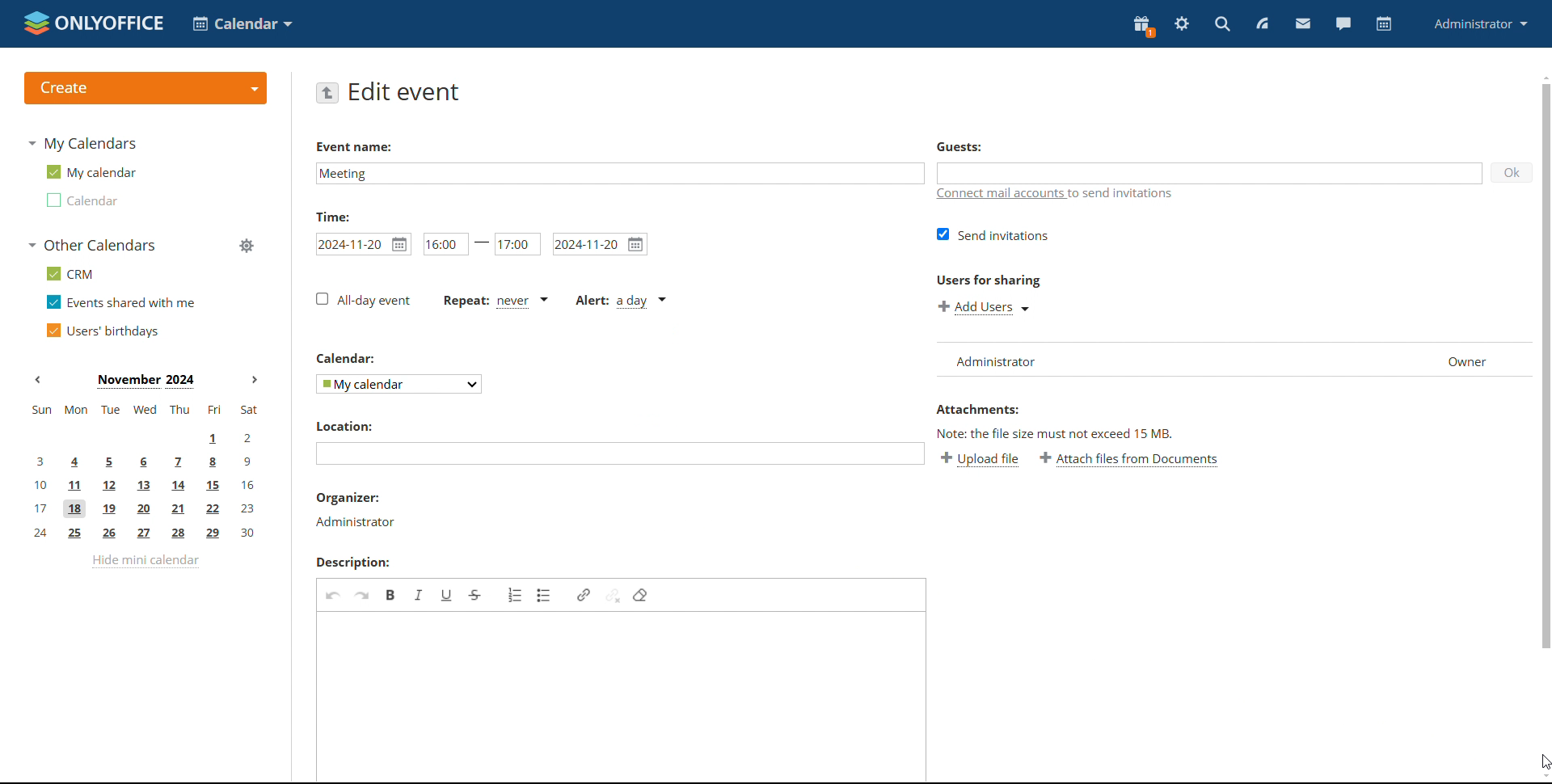 This screenshot has width=1552, height=784. What do you see at coordinates (1070, 197) in the screenshot?
I see `connect mail accounts` at bounding box center [1070, 197].